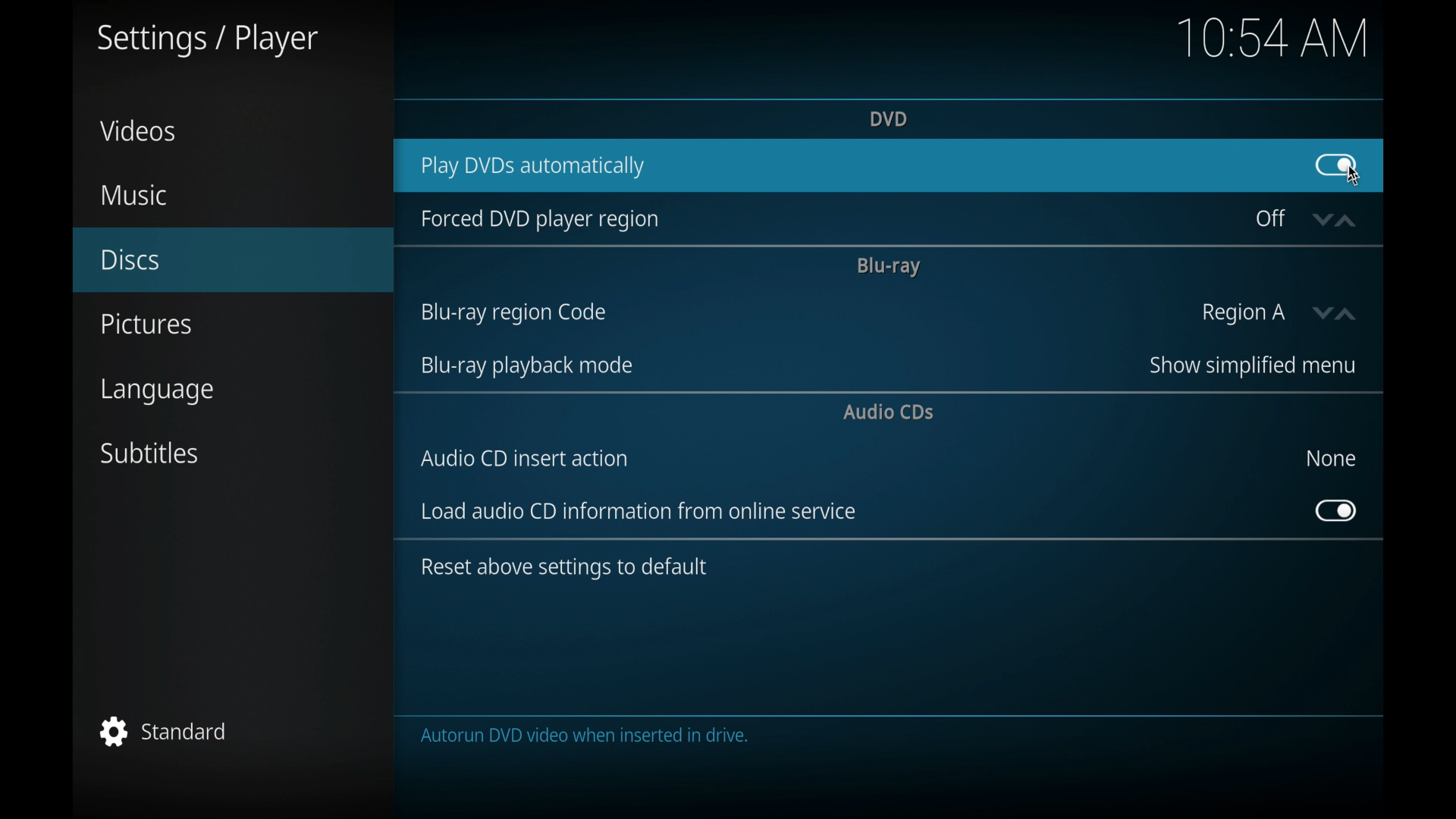 This screenshot has width=1456, height=819. What do you see at coordinates (151, 453) in the screenshot?
I see `subtitles` at bounding box center [151, 453].